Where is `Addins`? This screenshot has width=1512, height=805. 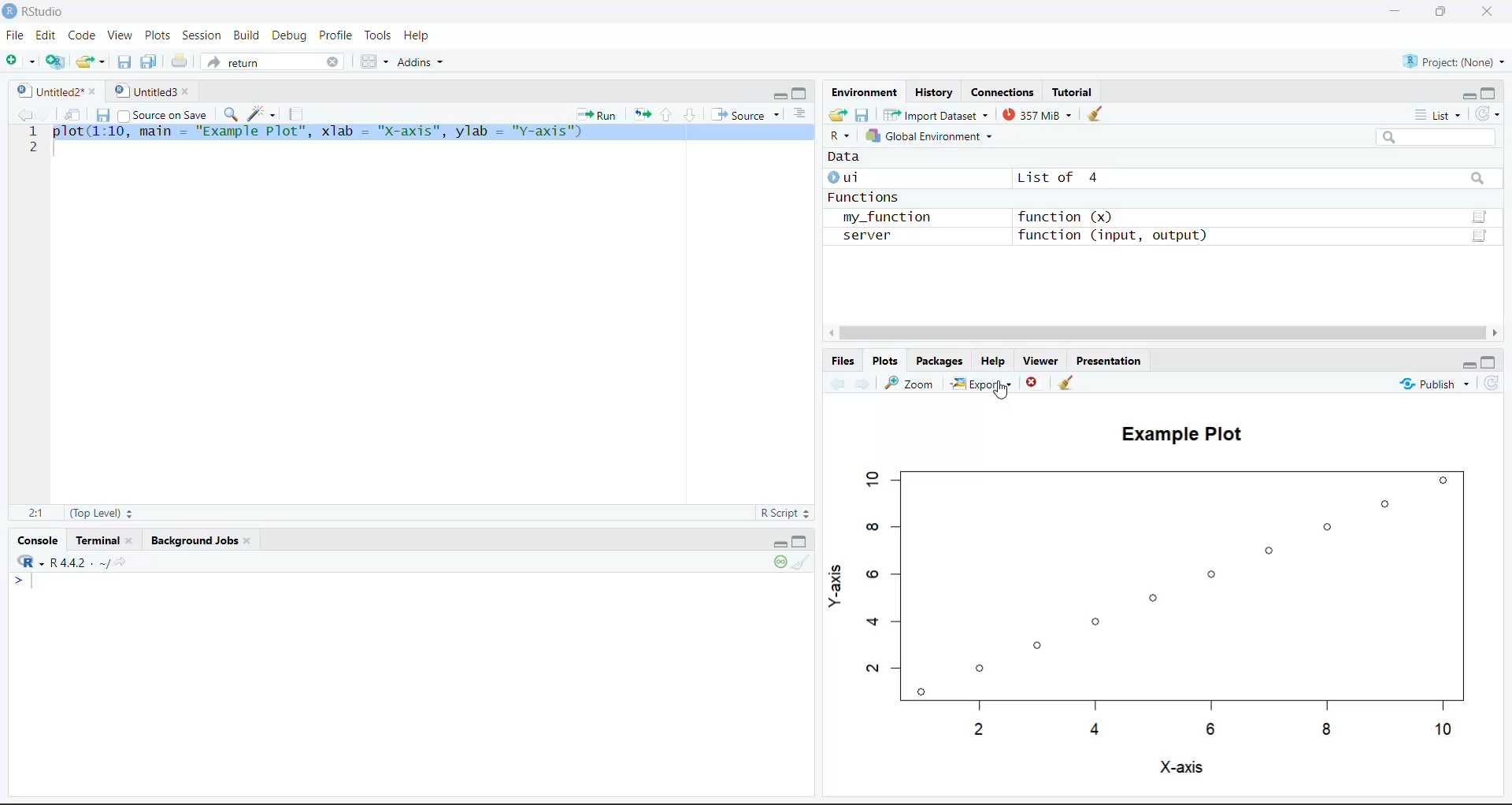
Addins is located at coordinates (421, 61).